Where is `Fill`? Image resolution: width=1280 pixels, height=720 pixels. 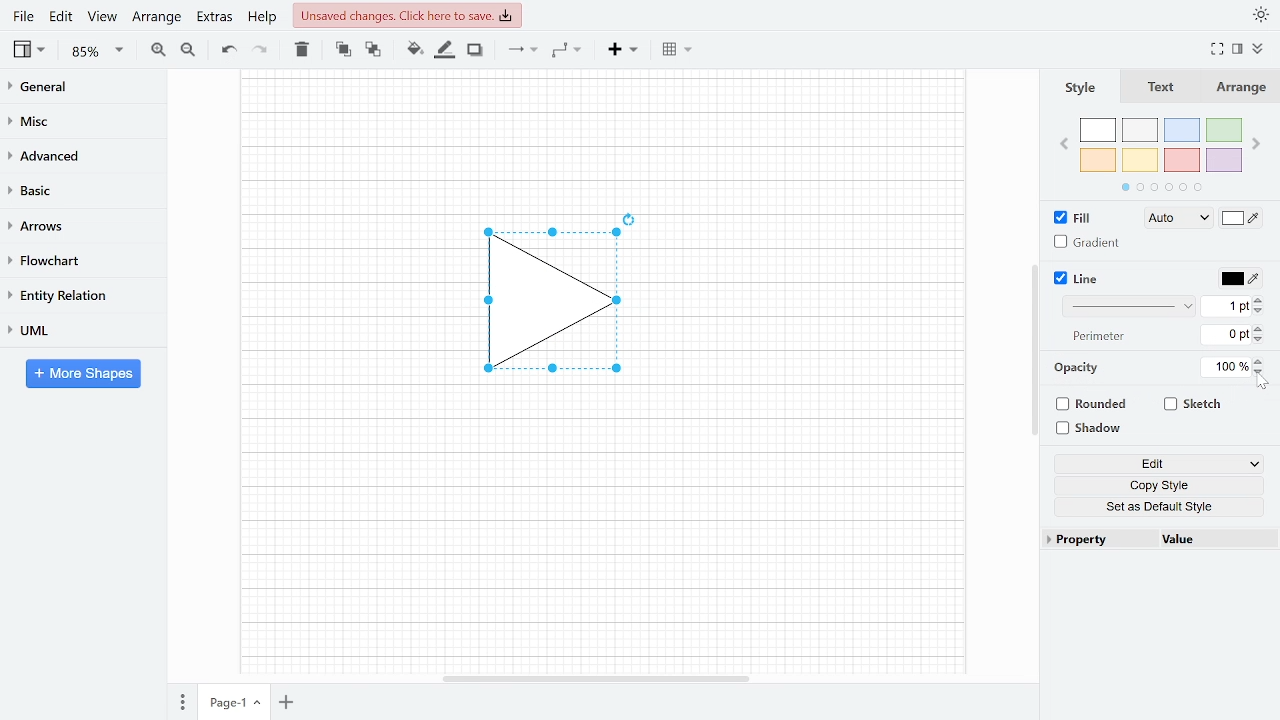 Fill is located at coordinates (1078, 218).